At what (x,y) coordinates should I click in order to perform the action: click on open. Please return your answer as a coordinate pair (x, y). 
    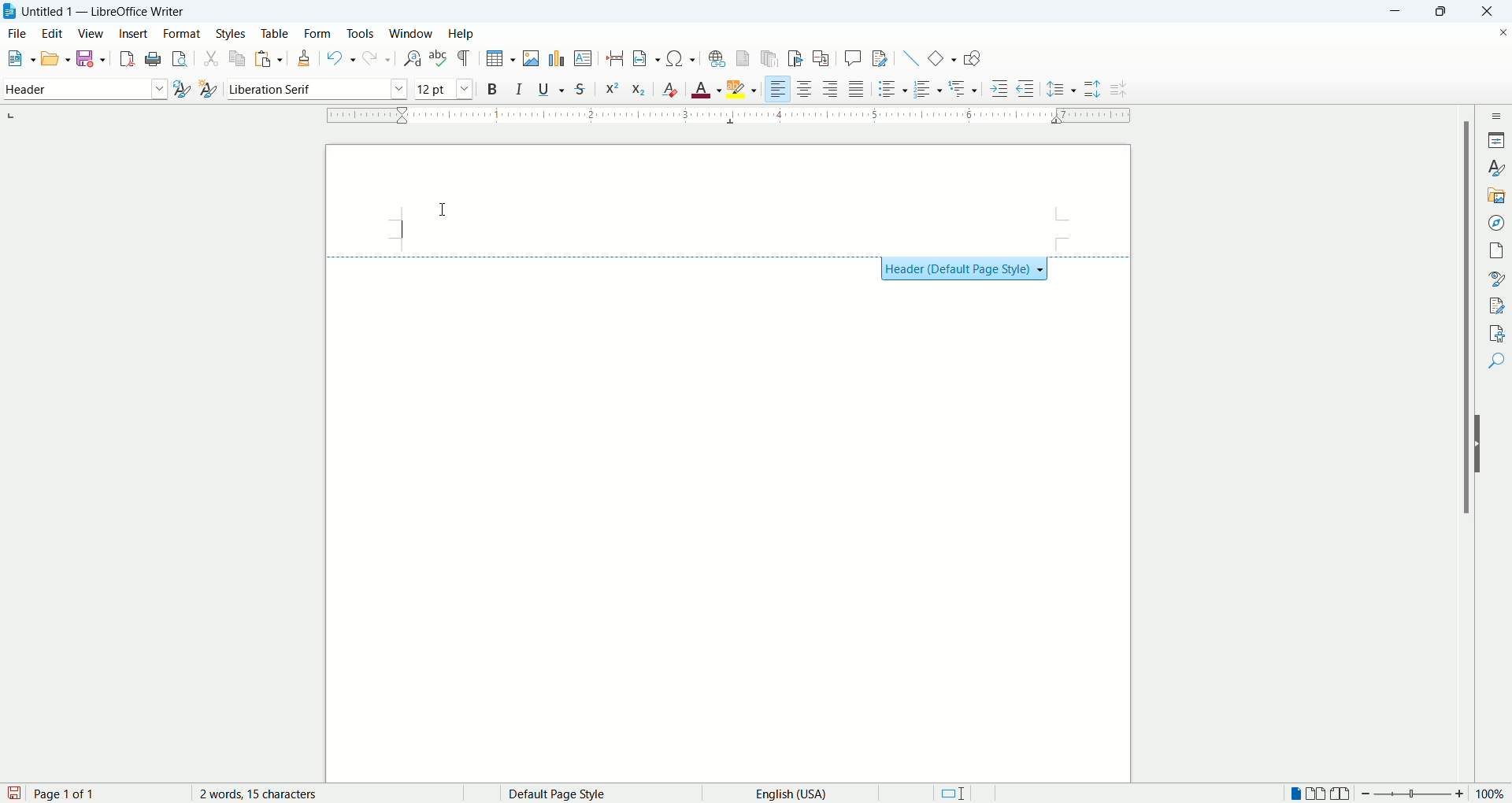
    Looking at the image, I should click on (53, 59).